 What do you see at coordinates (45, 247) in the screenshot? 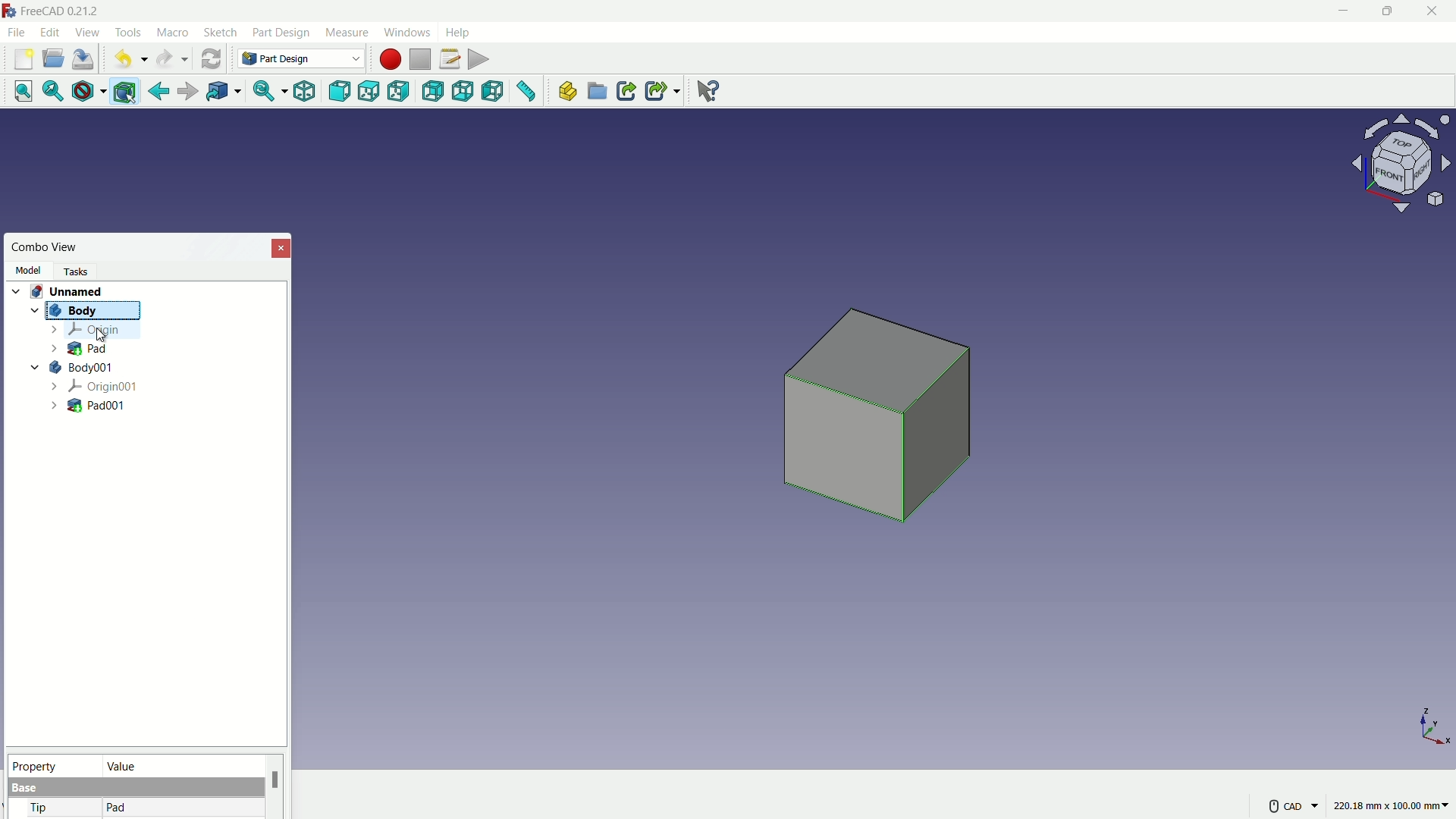
I see `combo view` at bounding box center [45, 247].